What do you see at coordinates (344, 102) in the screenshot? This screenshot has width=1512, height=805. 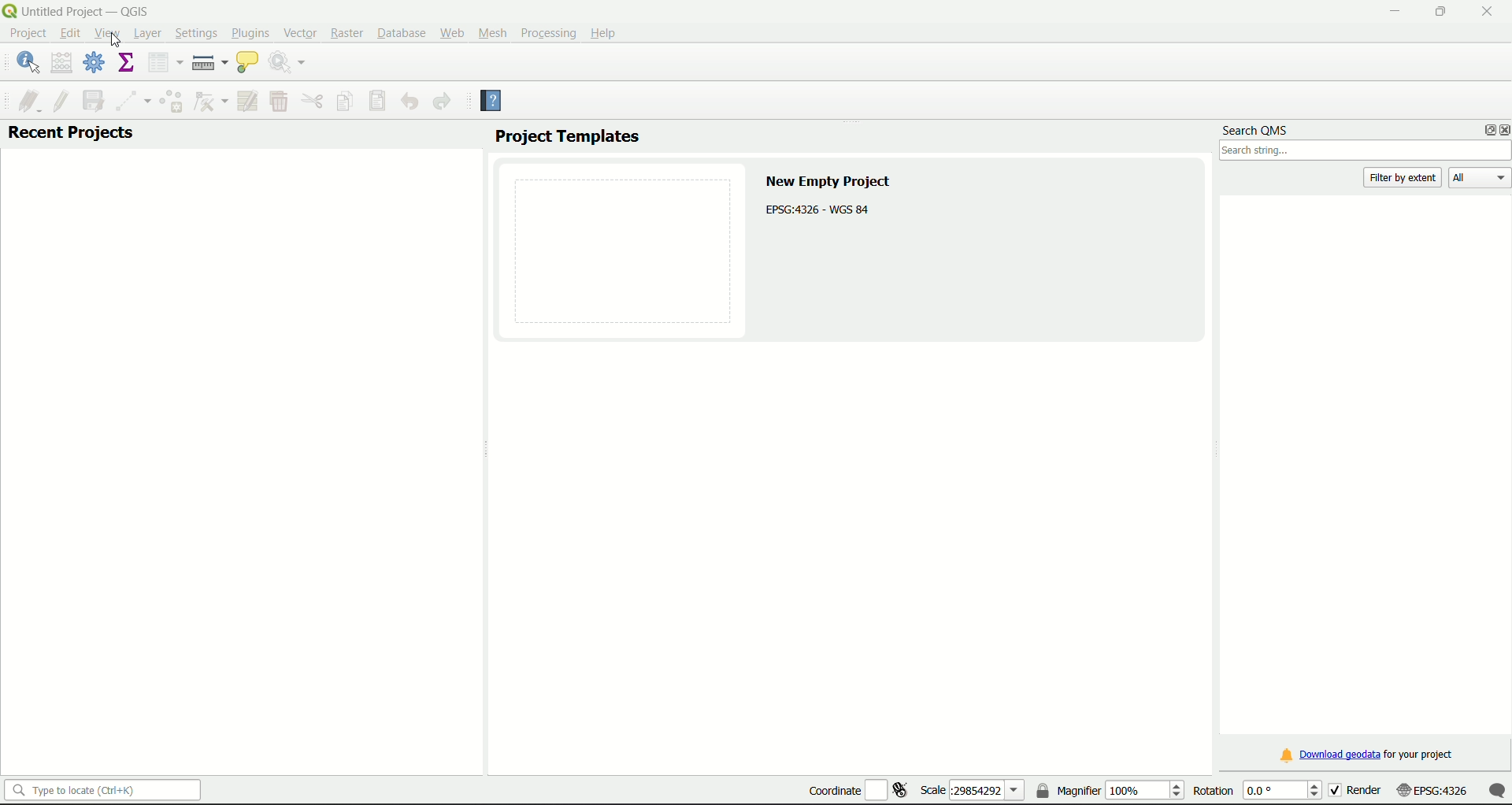 I see `Copy feature` at bounding box center [344, 102].